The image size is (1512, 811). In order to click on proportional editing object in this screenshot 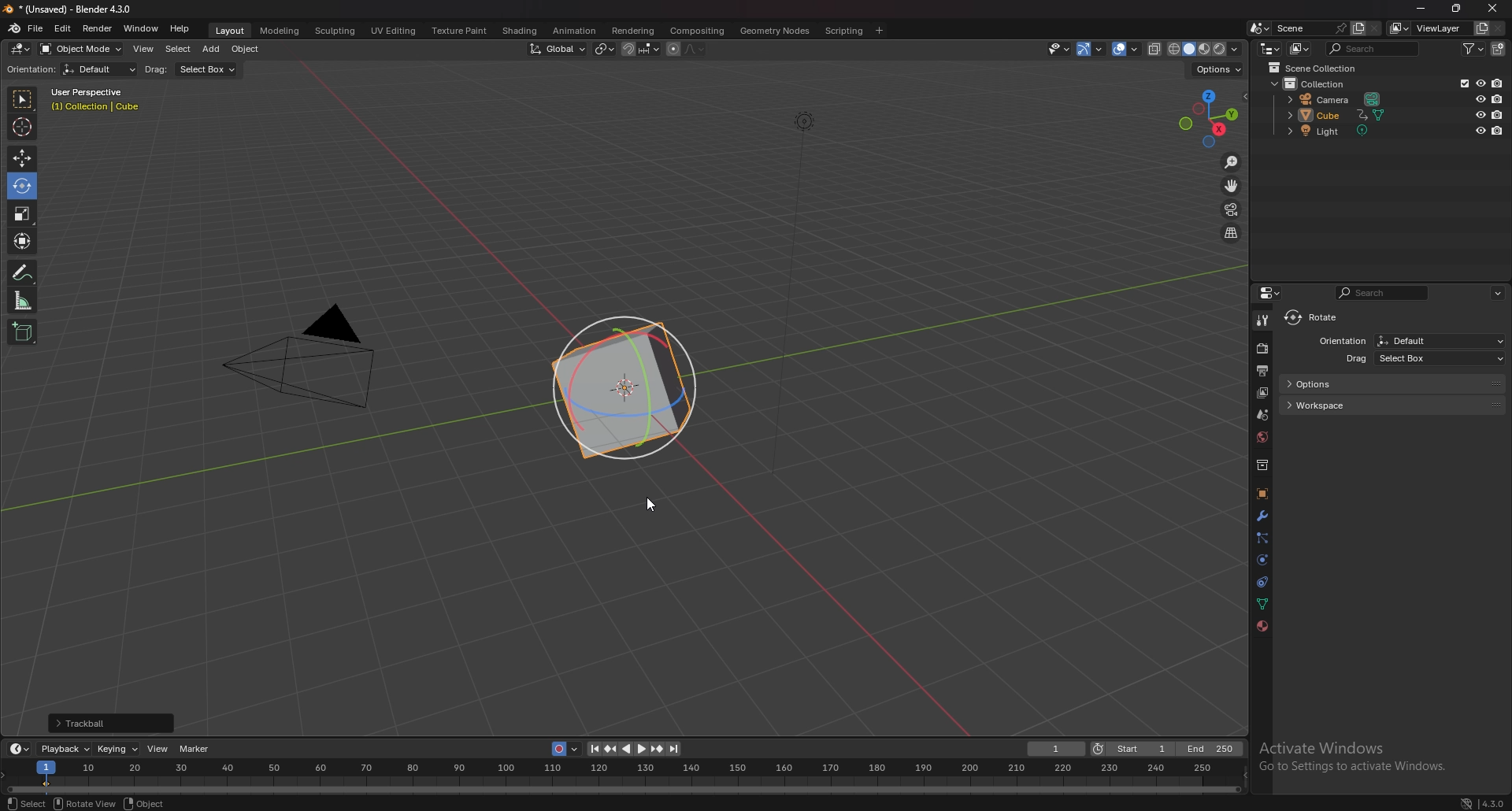, I will do `click(673, 50)`.